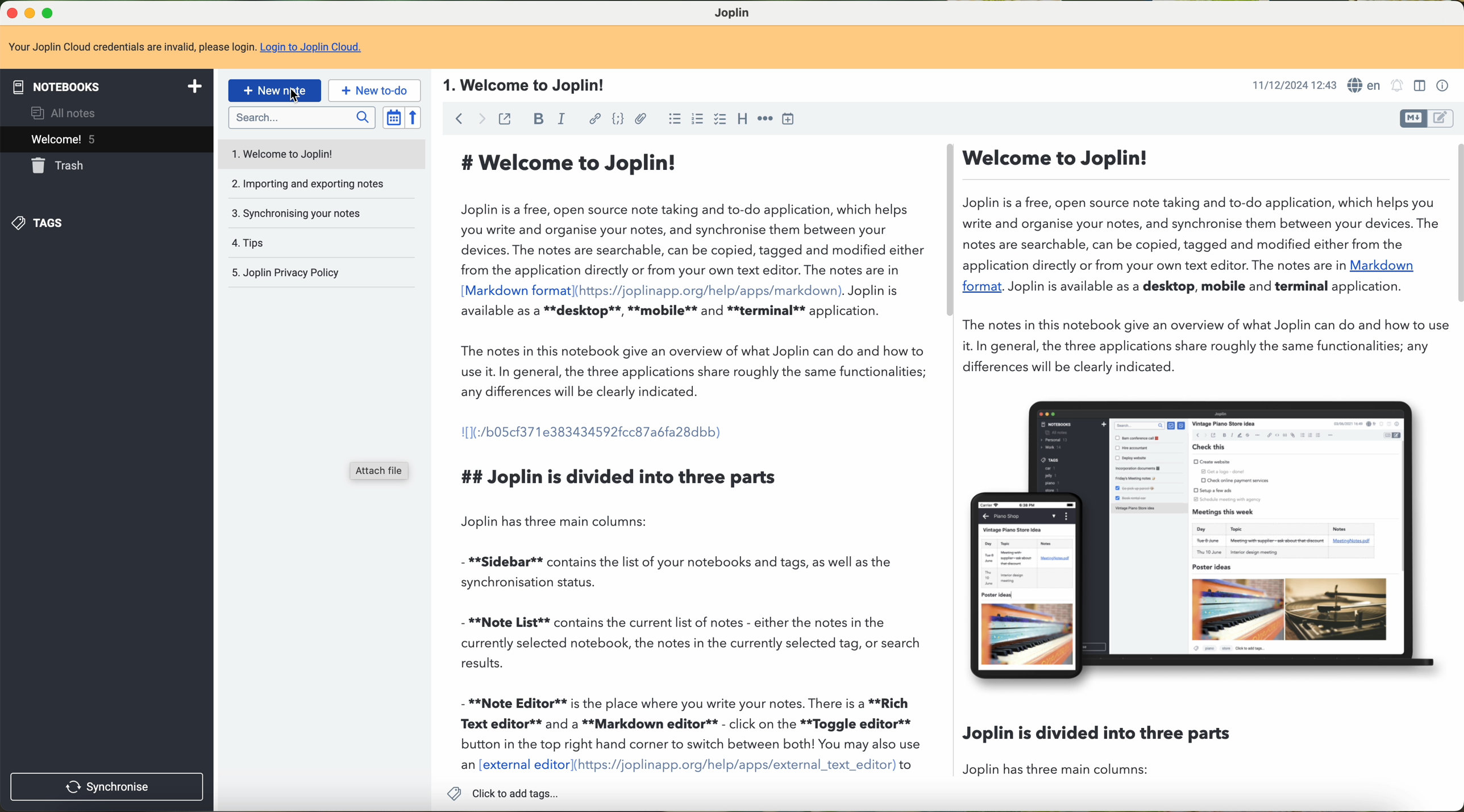  Describe the element at coordinates (482, 119) in the screenshot. I see `navigate foward` at that location.